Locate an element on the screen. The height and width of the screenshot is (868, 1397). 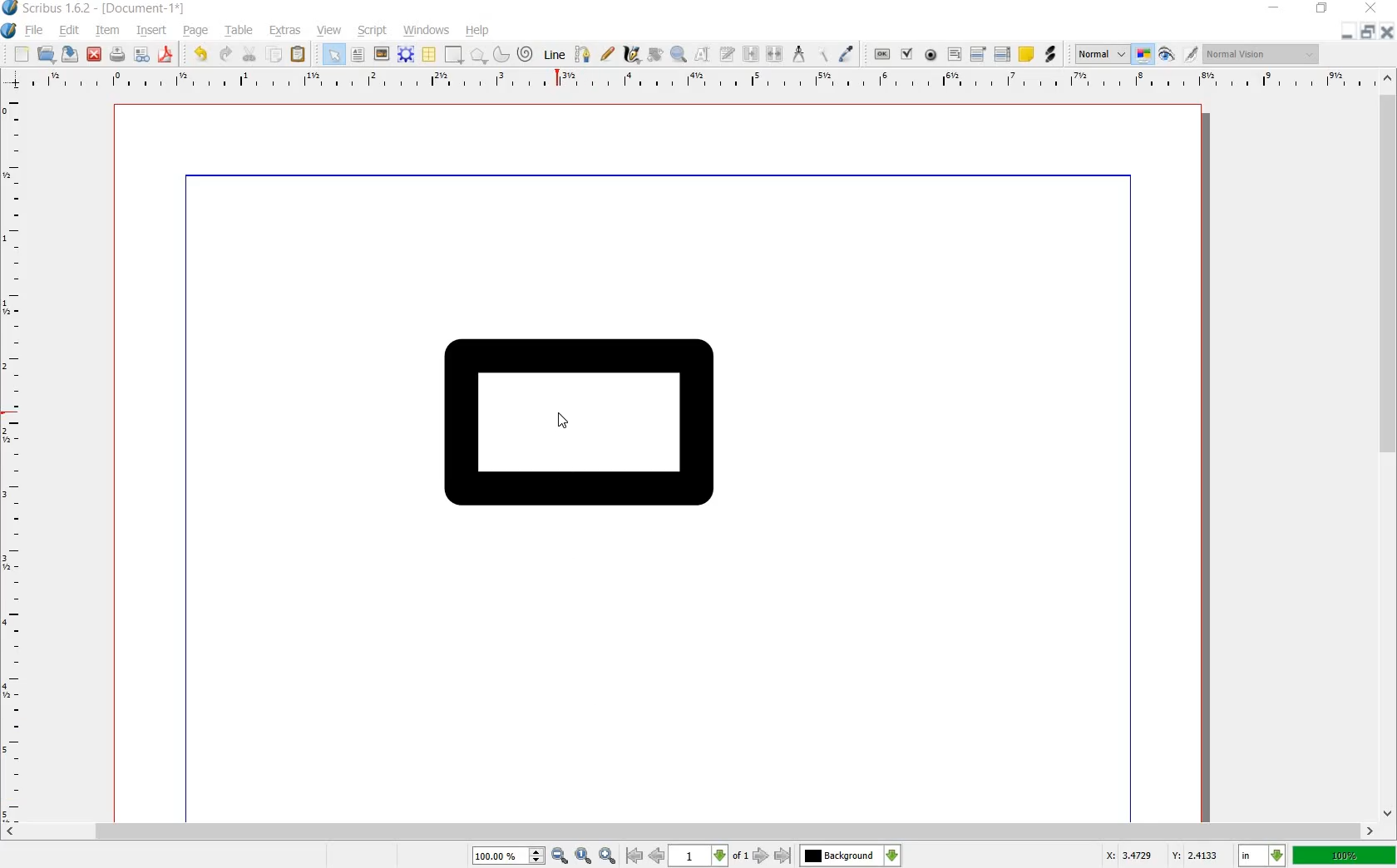
windows is located at coordinates (425, 28).